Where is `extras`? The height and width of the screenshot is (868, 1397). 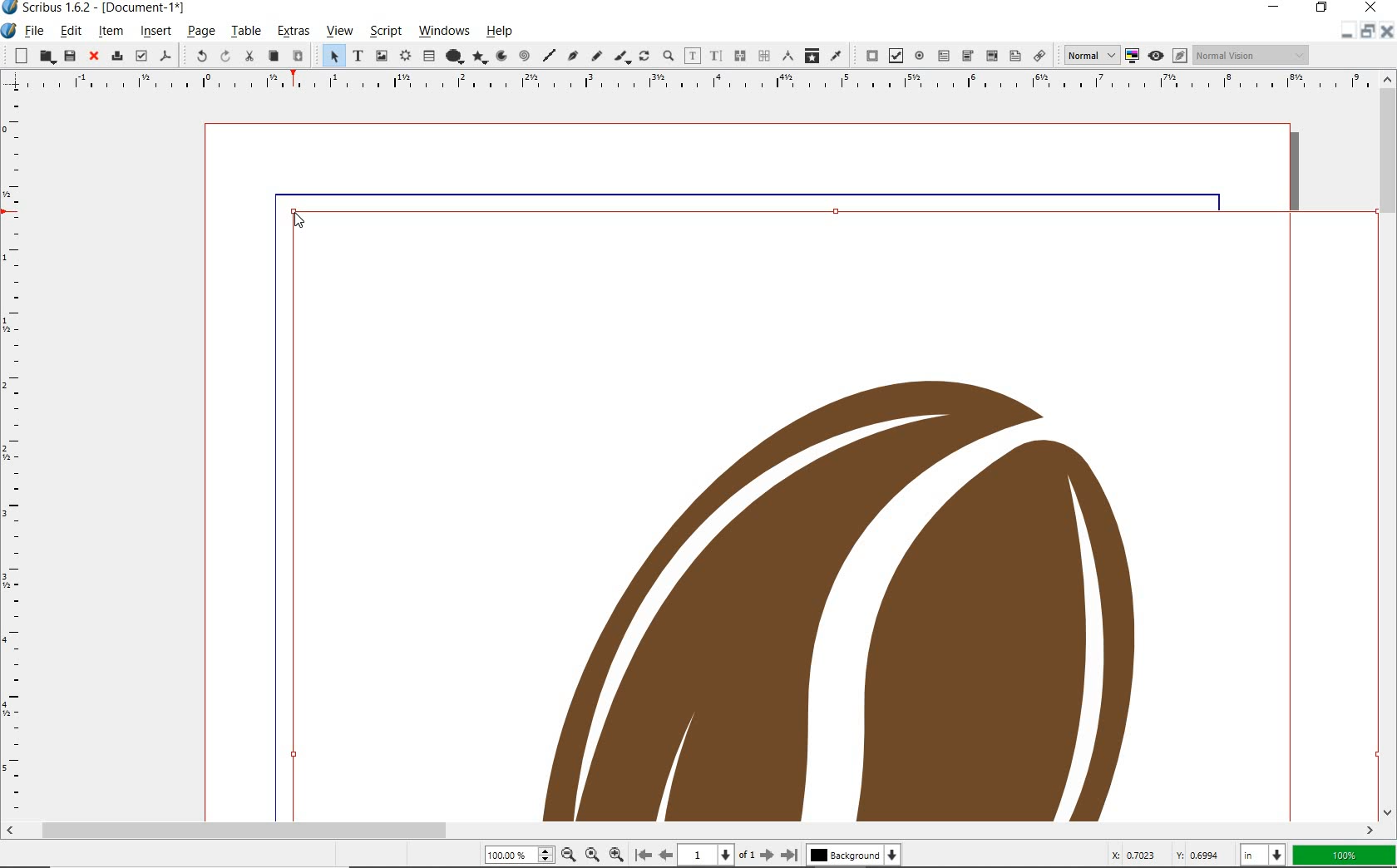
extras is located at coordinates (293, 31).